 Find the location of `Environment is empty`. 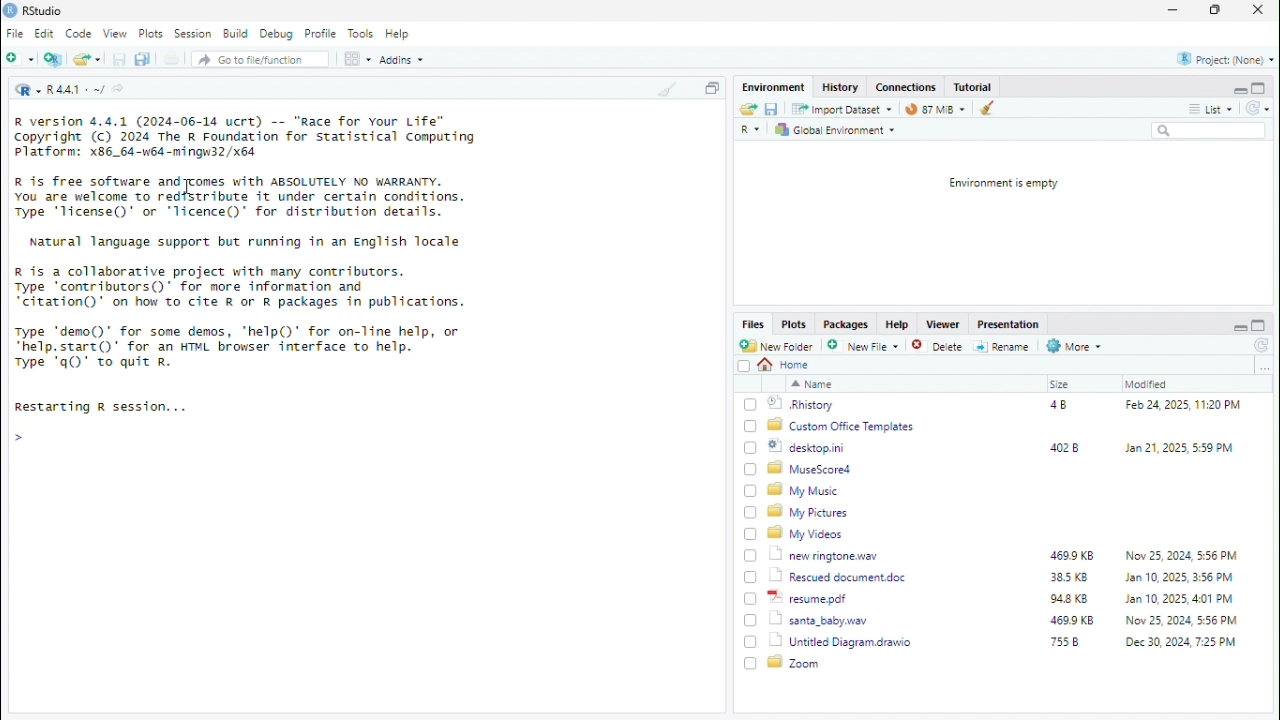

Environment is empty is located at coordinates (1003, 184).